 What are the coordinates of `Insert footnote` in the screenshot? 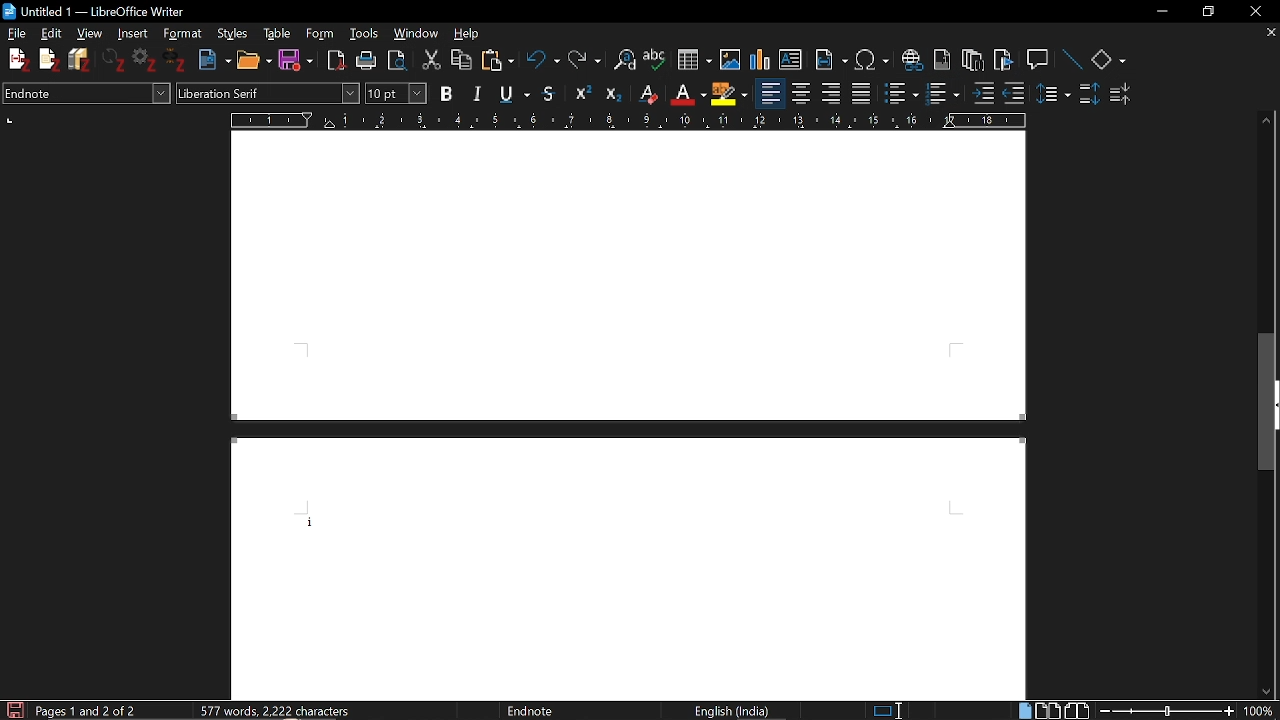 It's located at (943, 62).